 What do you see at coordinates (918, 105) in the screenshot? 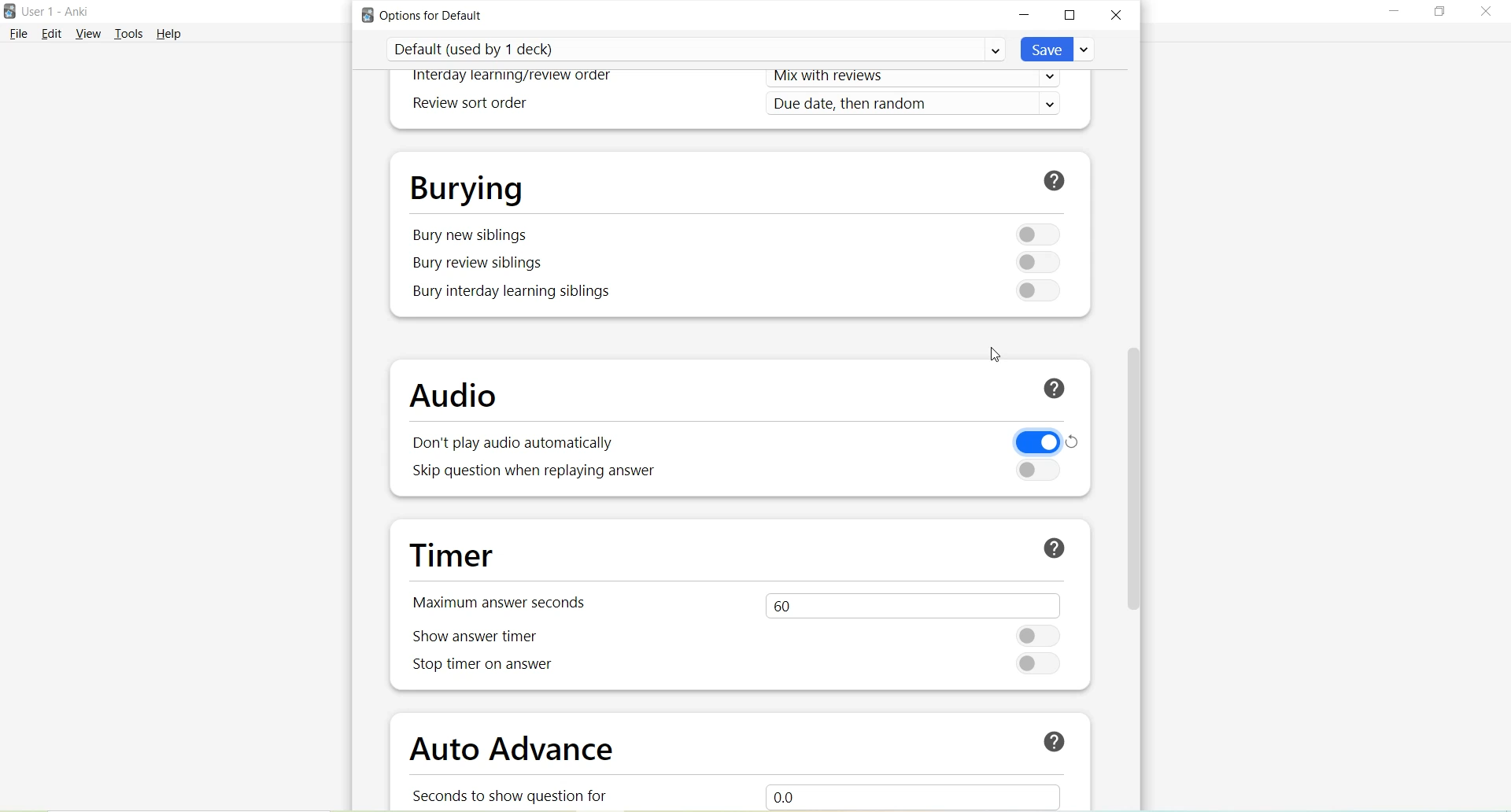
I see `Due date, then random` at bounding box center [918, 105].